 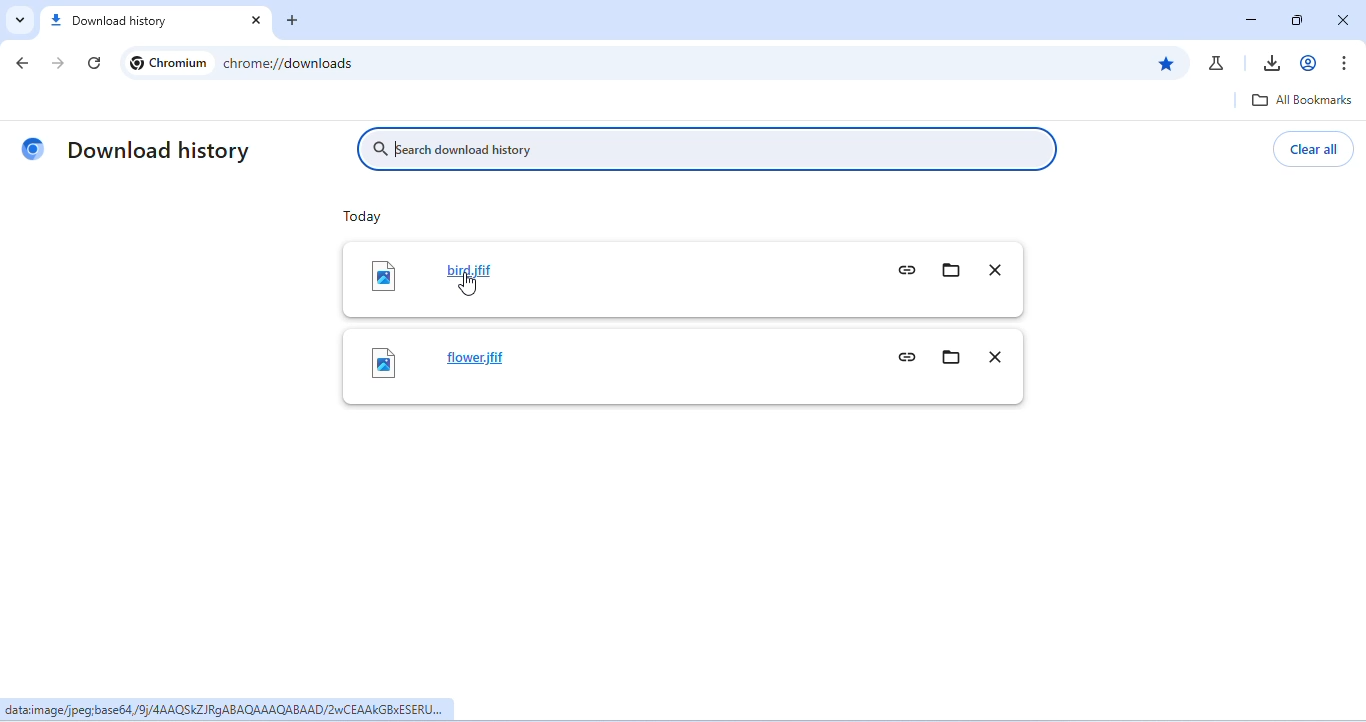 What do you see at coordinates (951, 357) in the screenshot?
I see `show in folder` at bounding box center [951, 357].